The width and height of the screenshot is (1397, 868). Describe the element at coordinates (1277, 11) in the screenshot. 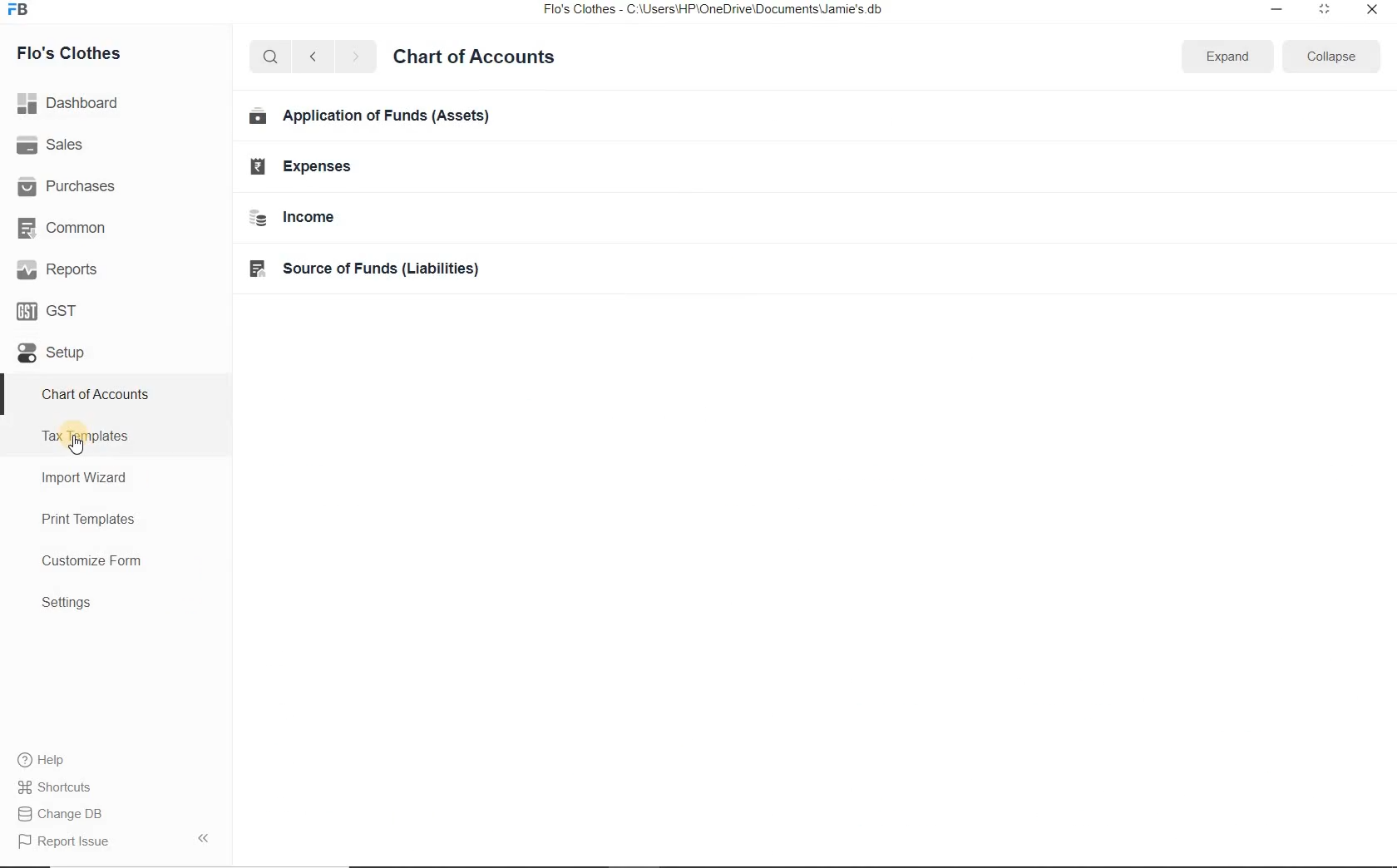

I see `Minimize` at that location.